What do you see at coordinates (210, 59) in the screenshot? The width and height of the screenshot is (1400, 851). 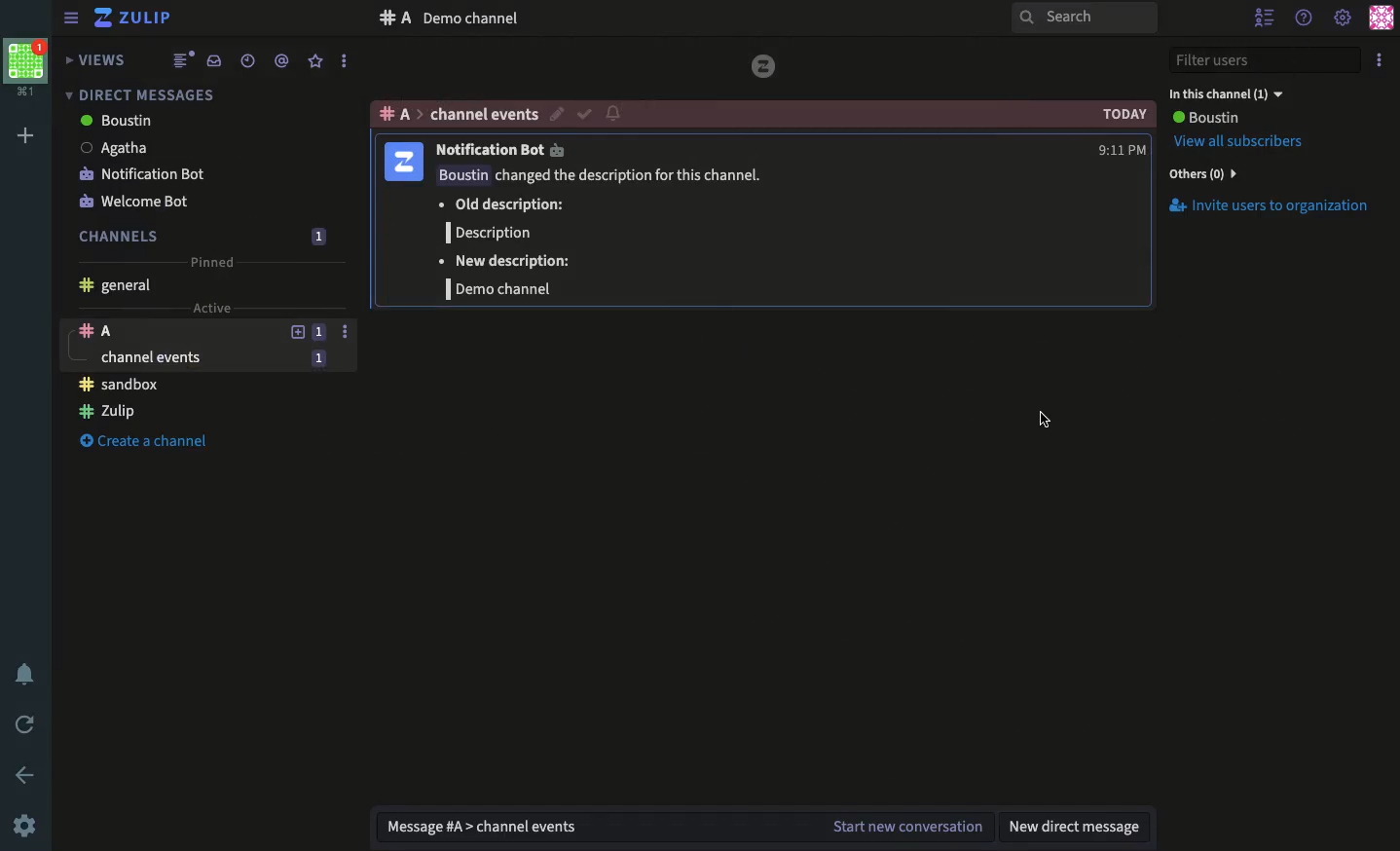 I see `Inbox` at bounding box center [210, 59].